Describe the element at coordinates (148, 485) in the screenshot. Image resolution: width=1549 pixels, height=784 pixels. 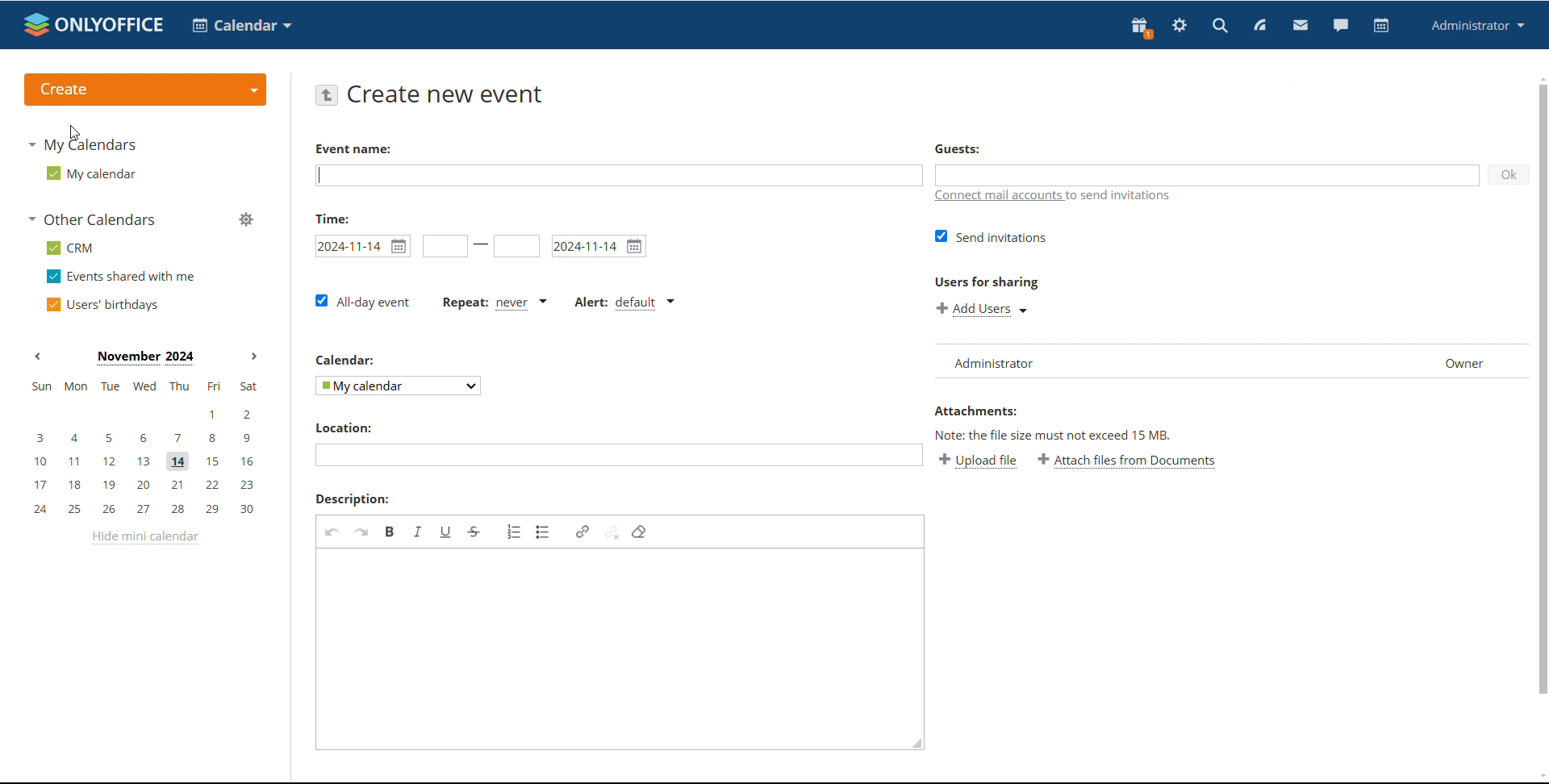
I see `17, 18, 19, 20, 21, 22, 23` at that location.